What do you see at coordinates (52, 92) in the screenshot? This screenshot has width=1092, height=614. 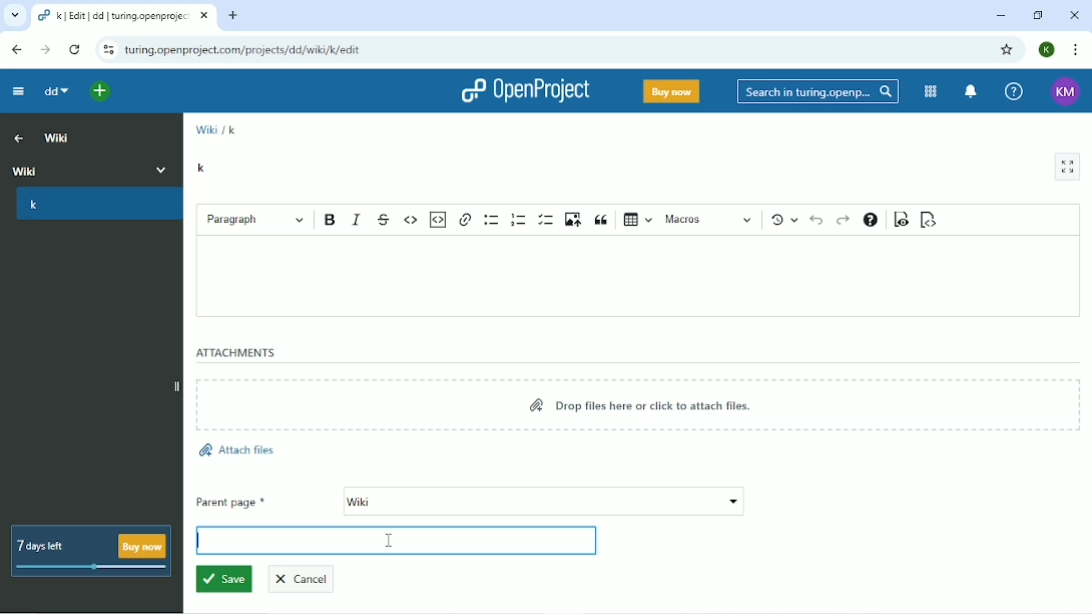 I see `dd` at bounding box center [52, 92].